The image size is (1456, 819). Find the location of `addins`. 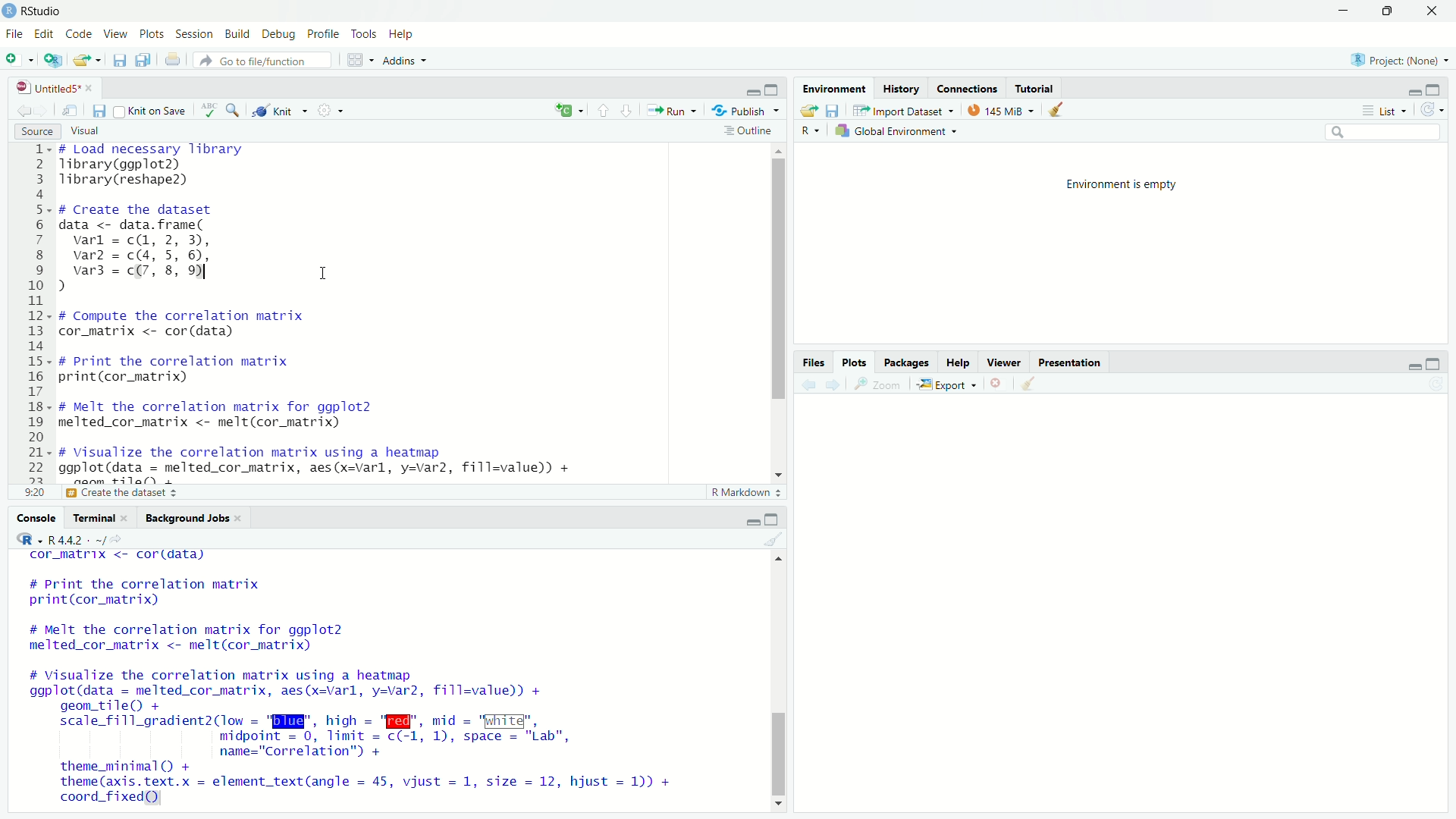

addins is located at coordinates (405, 60).